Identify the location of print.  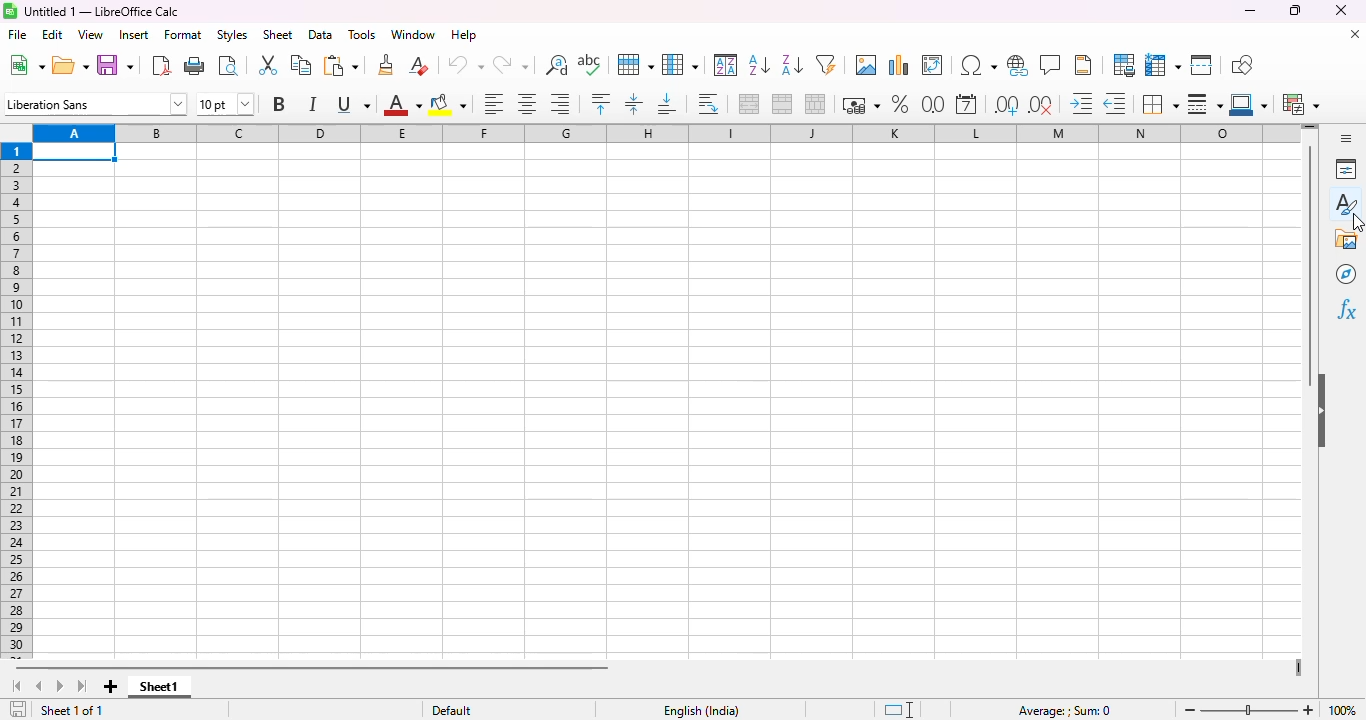
(195, 64).